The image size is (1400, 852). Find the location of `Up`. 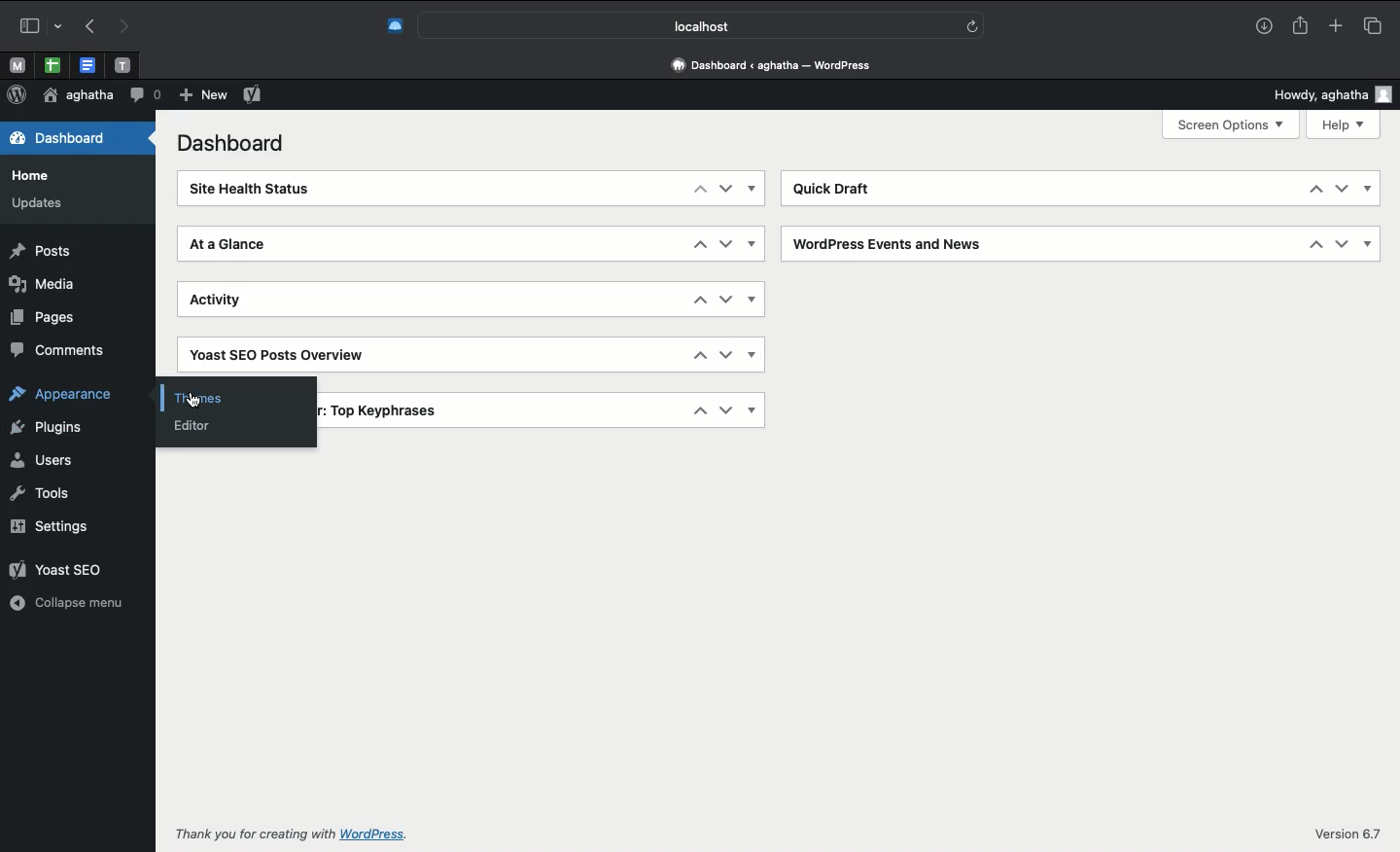

Up is located at coordinates (1313, 189).